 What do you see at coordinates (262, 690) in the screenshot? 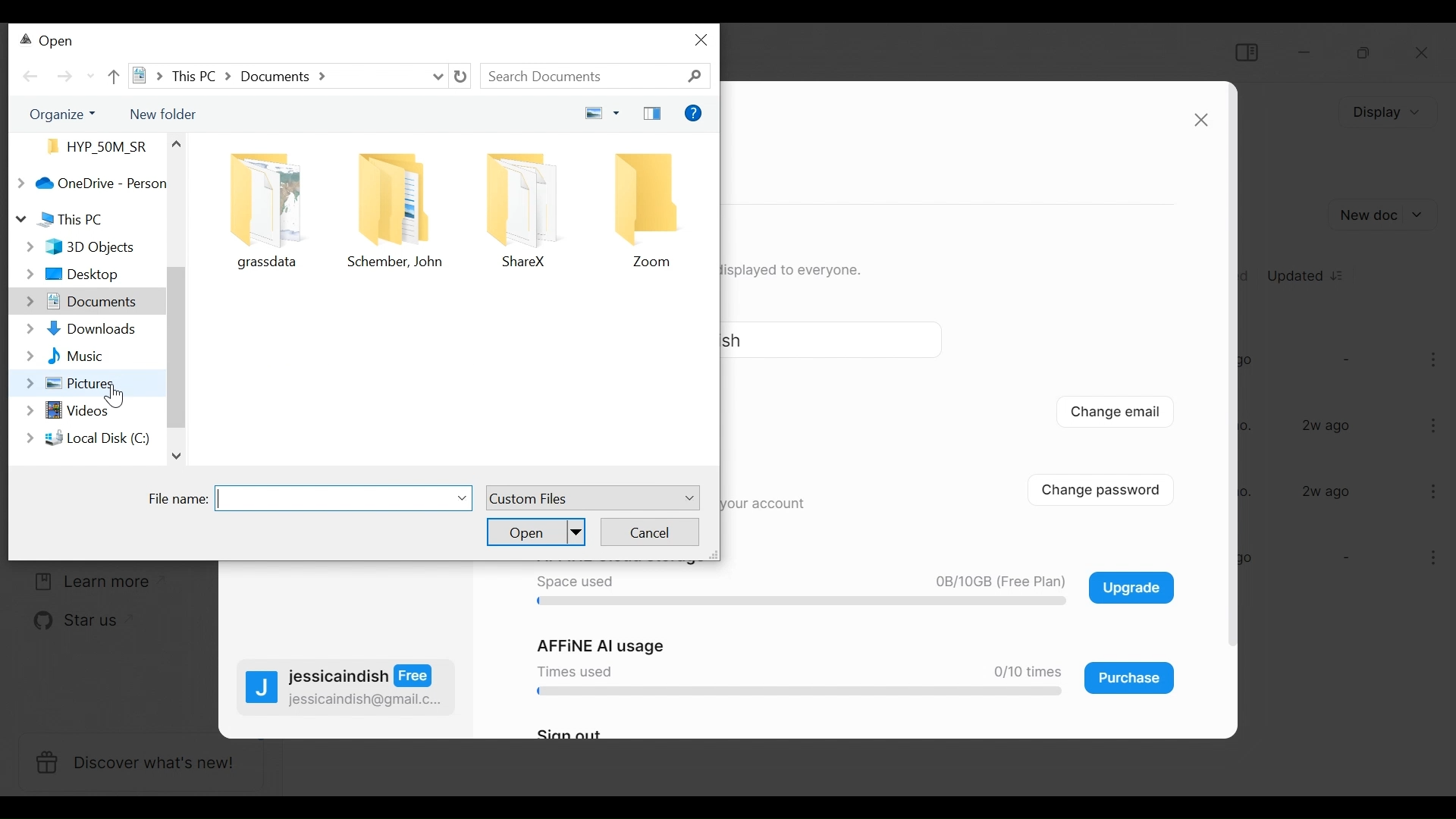
I see `profile` at bounding box center [262, 690].